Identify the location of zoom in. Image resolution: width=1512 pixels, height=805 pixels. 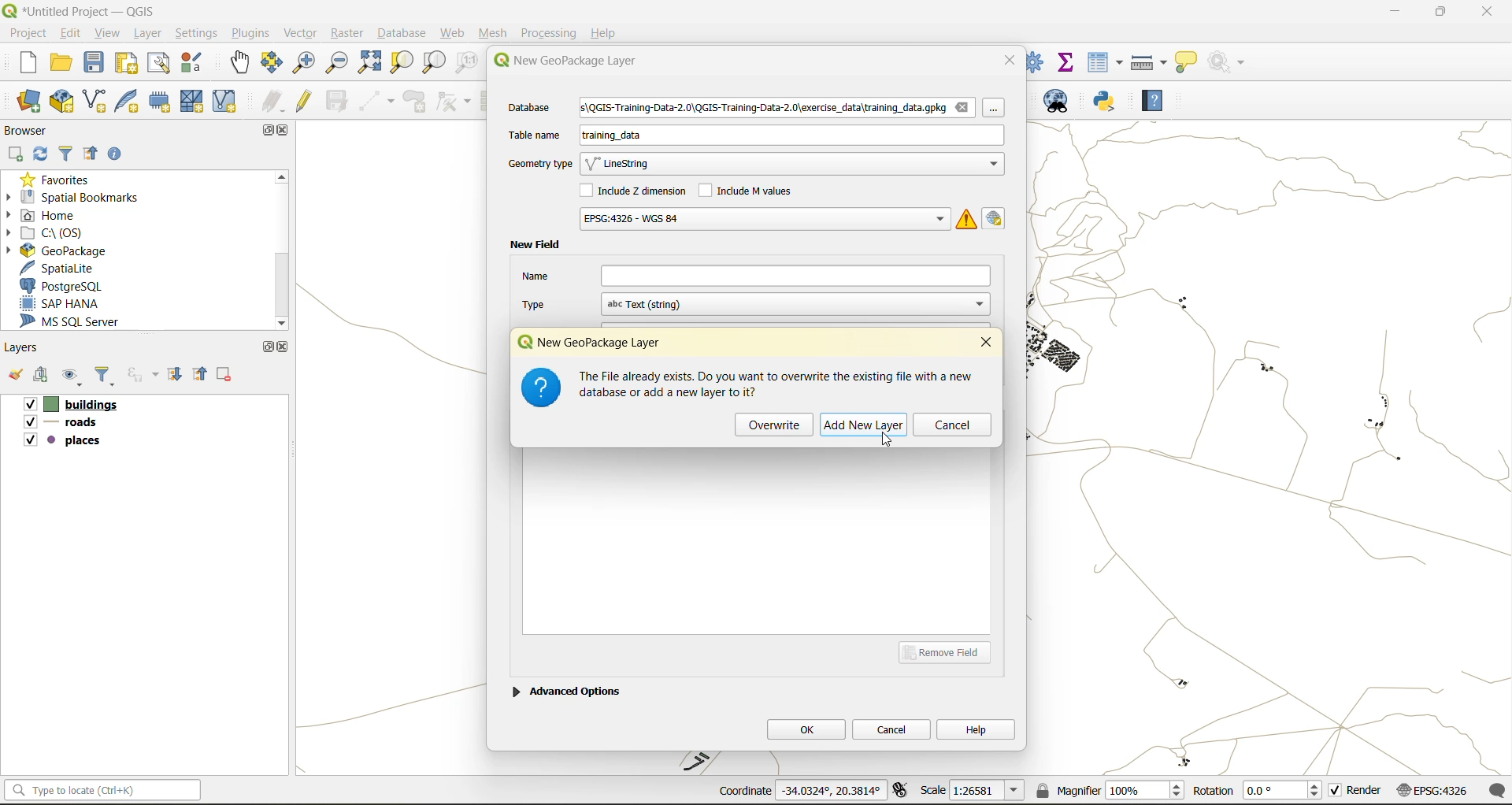
(302, 61).